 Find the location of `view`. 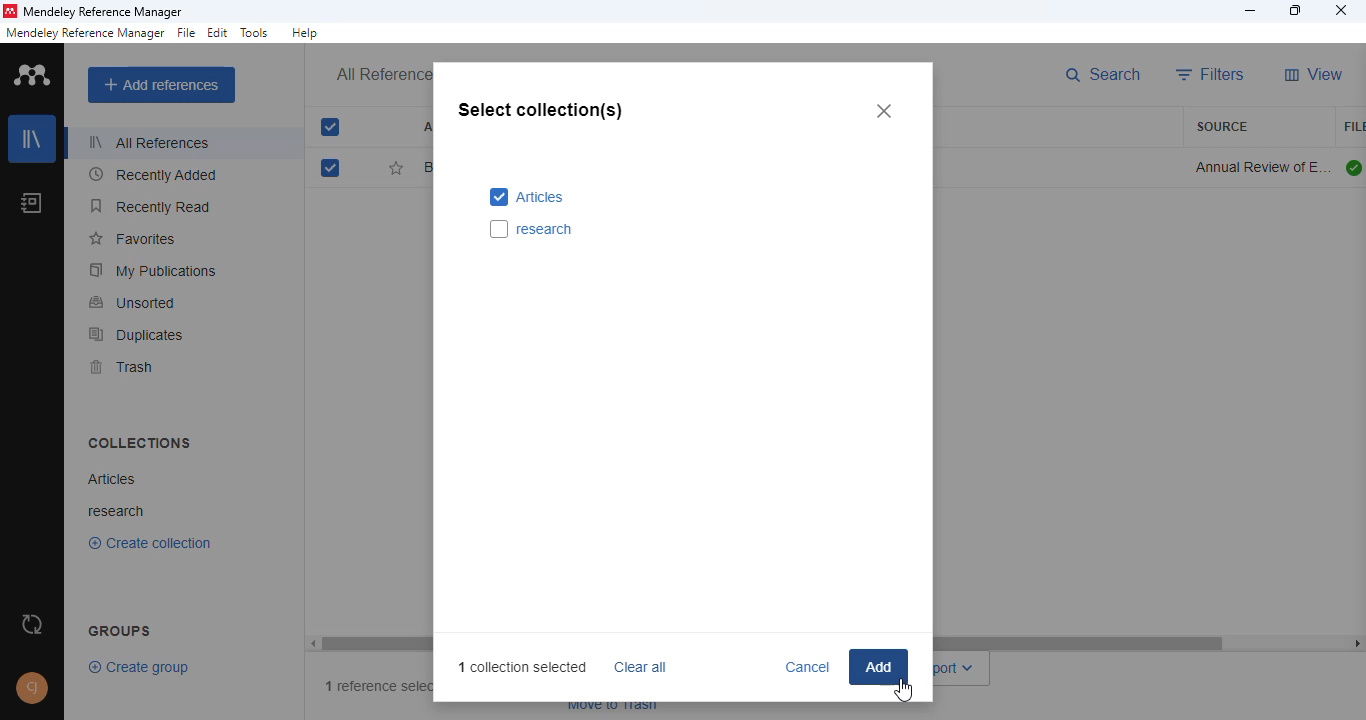

view is located at coordinates (1315, 74).